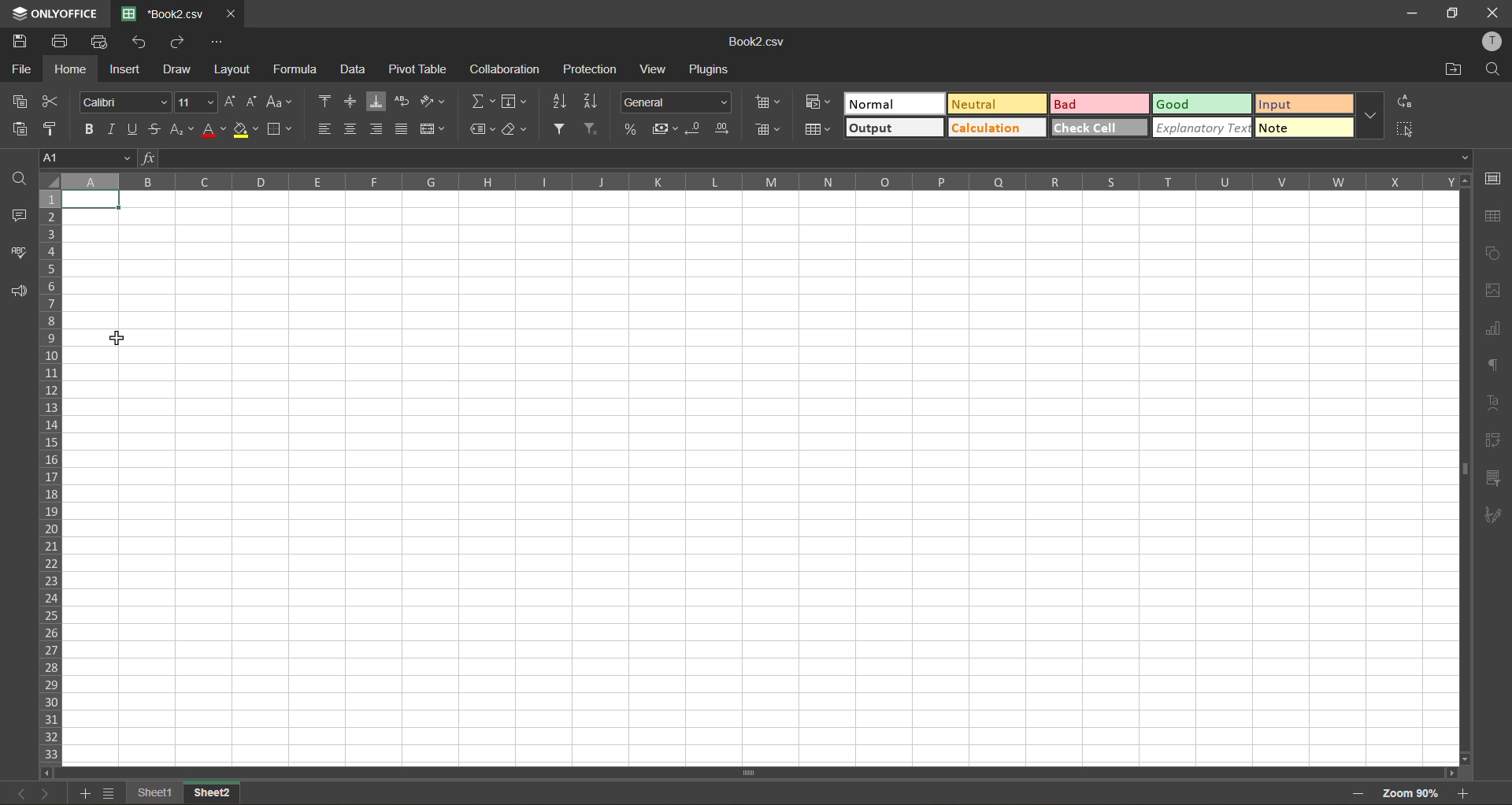 The width and height of the screenshot is (1512, 805). Describe the element at coordinates (175, 41) in the screenshot. I see `redo` at that location.